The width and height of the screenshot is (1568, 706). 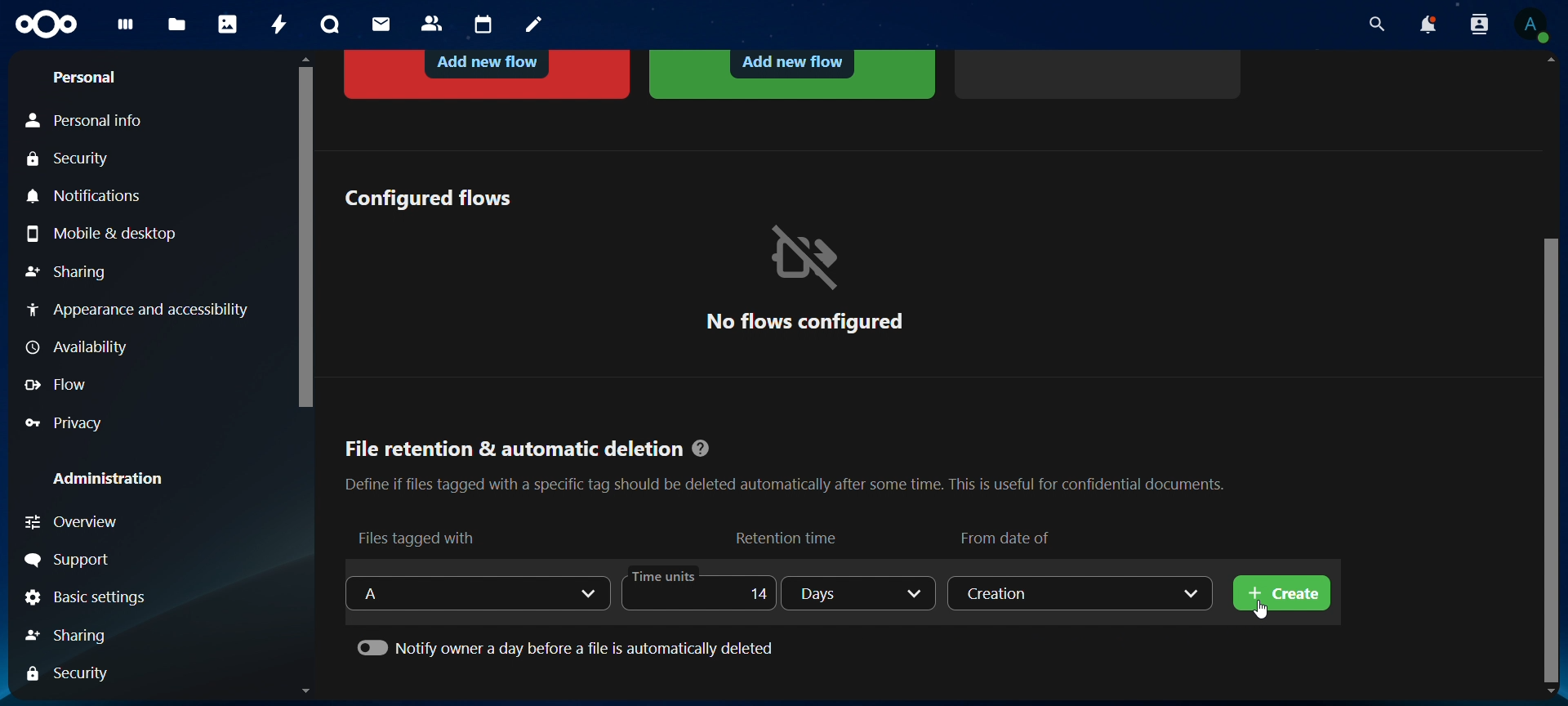 What do you see at coordinates (383, 24) in the screenshot?
I see `mail` at bounding box center [383, 24].